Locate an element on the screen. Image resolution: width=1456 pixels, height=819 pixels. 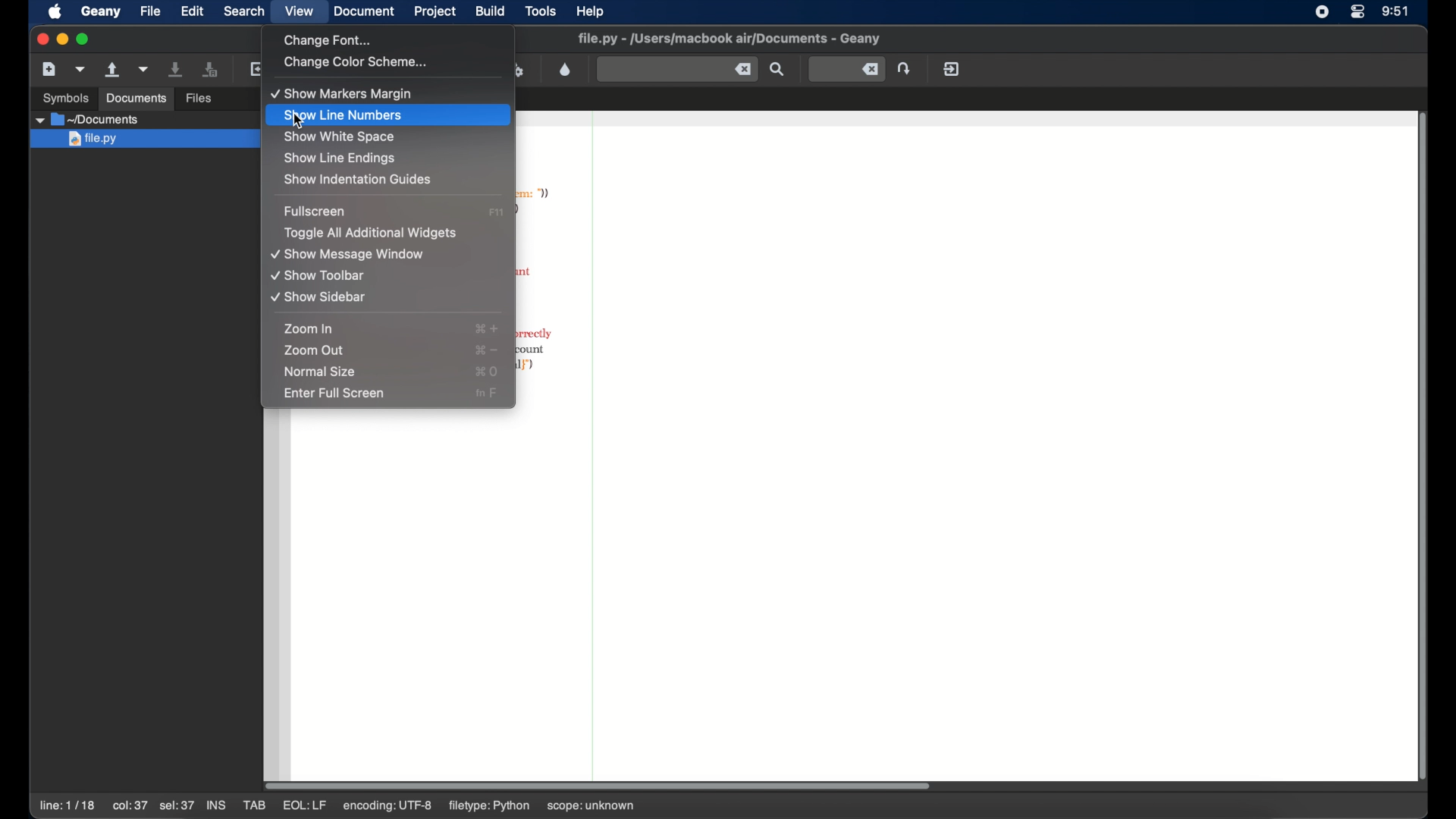
new  file is located at coordinates (49, 69).